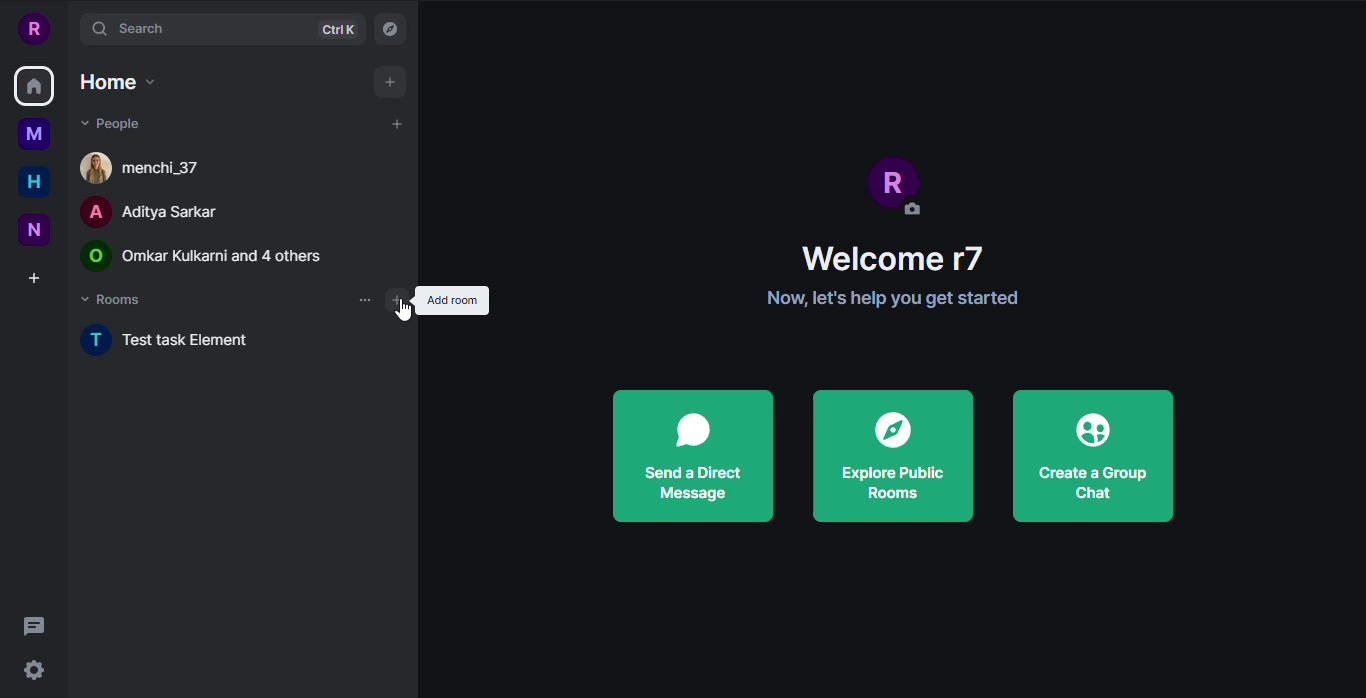  I want to click on navigator, so click(391, 31).